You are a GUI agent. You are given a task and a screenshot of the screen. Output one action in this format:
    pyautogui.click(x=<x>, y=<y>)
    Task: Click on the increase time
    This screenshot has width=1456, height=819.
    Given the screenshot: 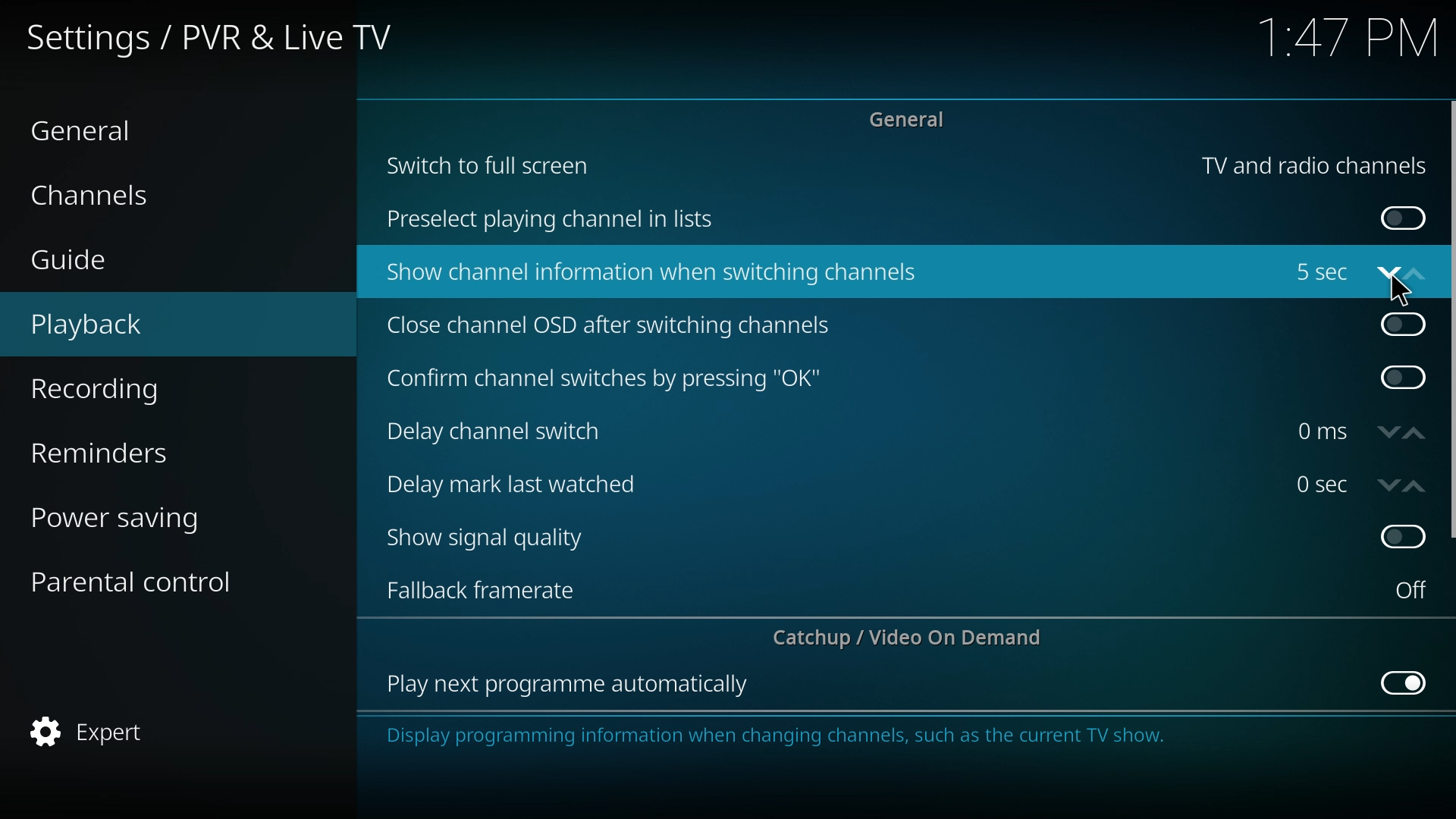 What is the action you would take?
    pyautogui.click(x=1415, y=434)
    